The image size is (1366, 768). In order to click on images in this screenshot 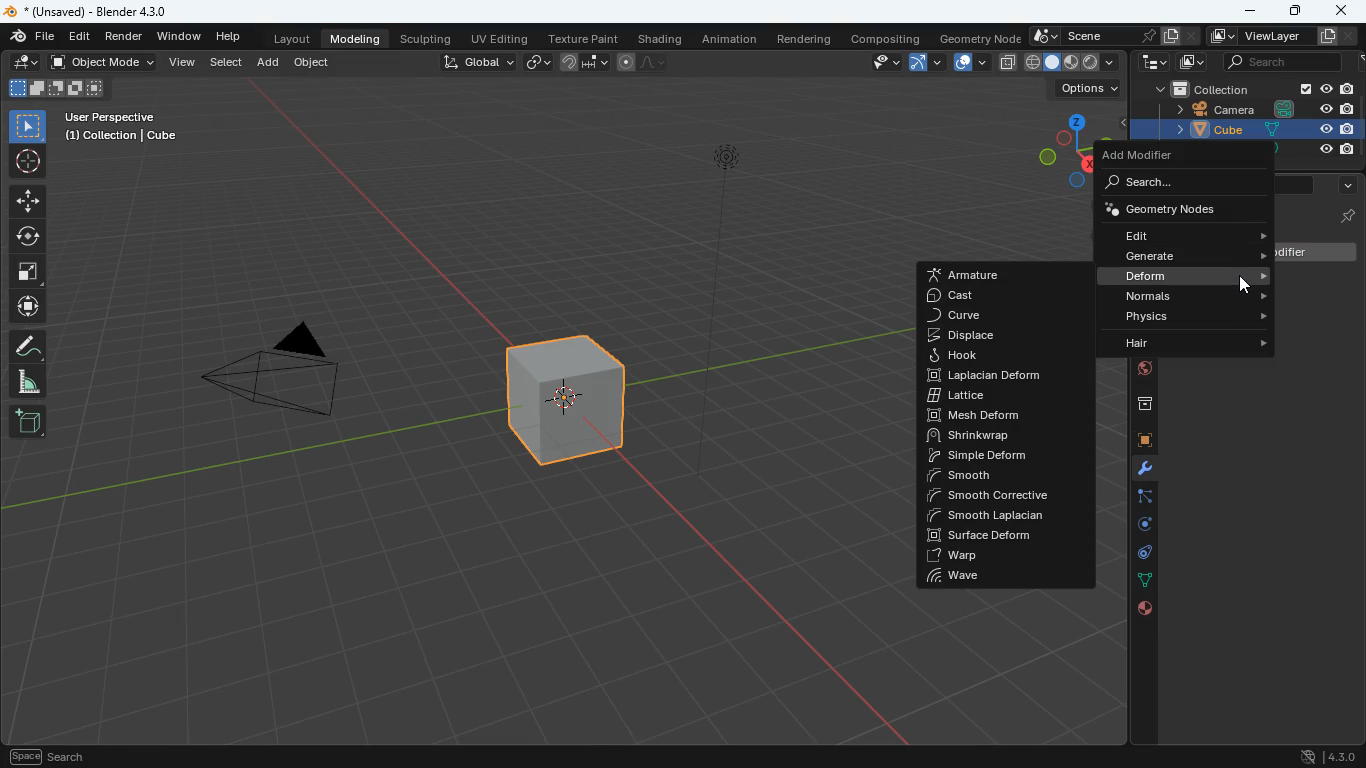, I will do `click(1188, 62)`.